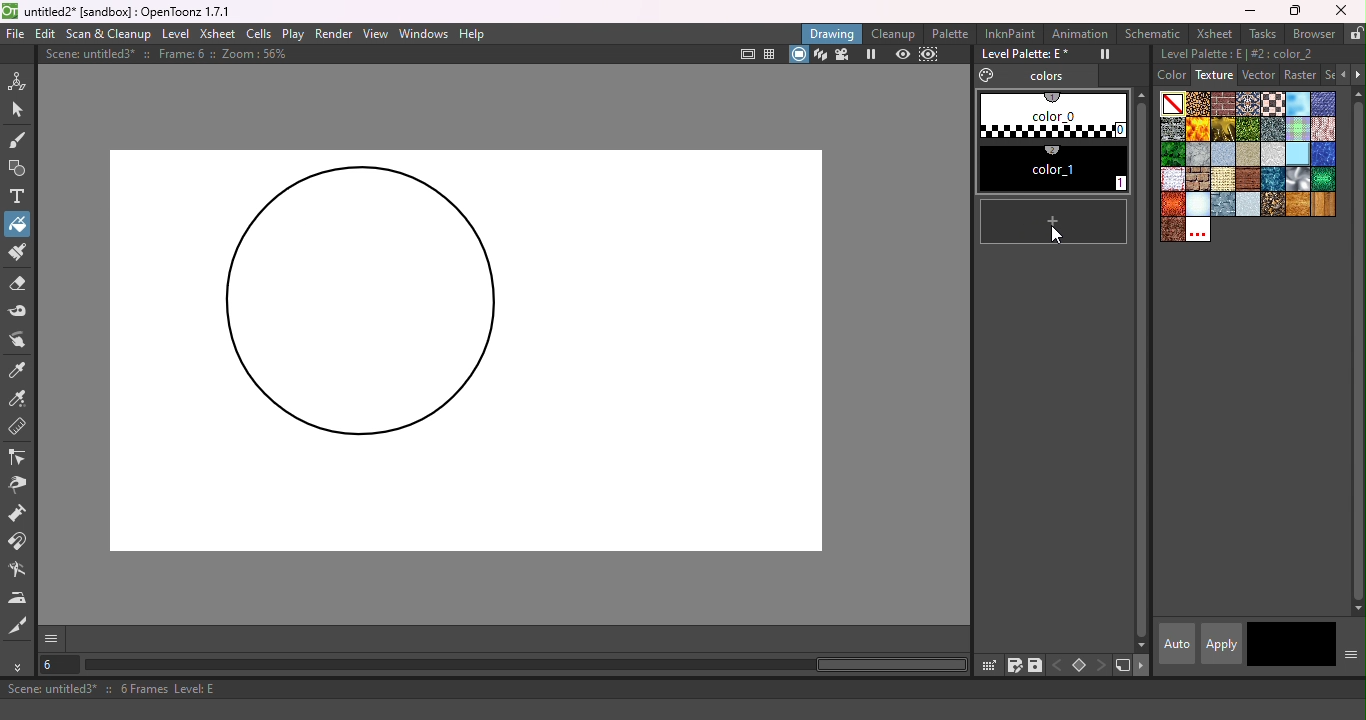 Image resolution: width=1366 pixels, height=720 pixels. Describe the element at coordinates (1224, 180) in the screenshot. I see `roughcanvas.bmp` at that location.